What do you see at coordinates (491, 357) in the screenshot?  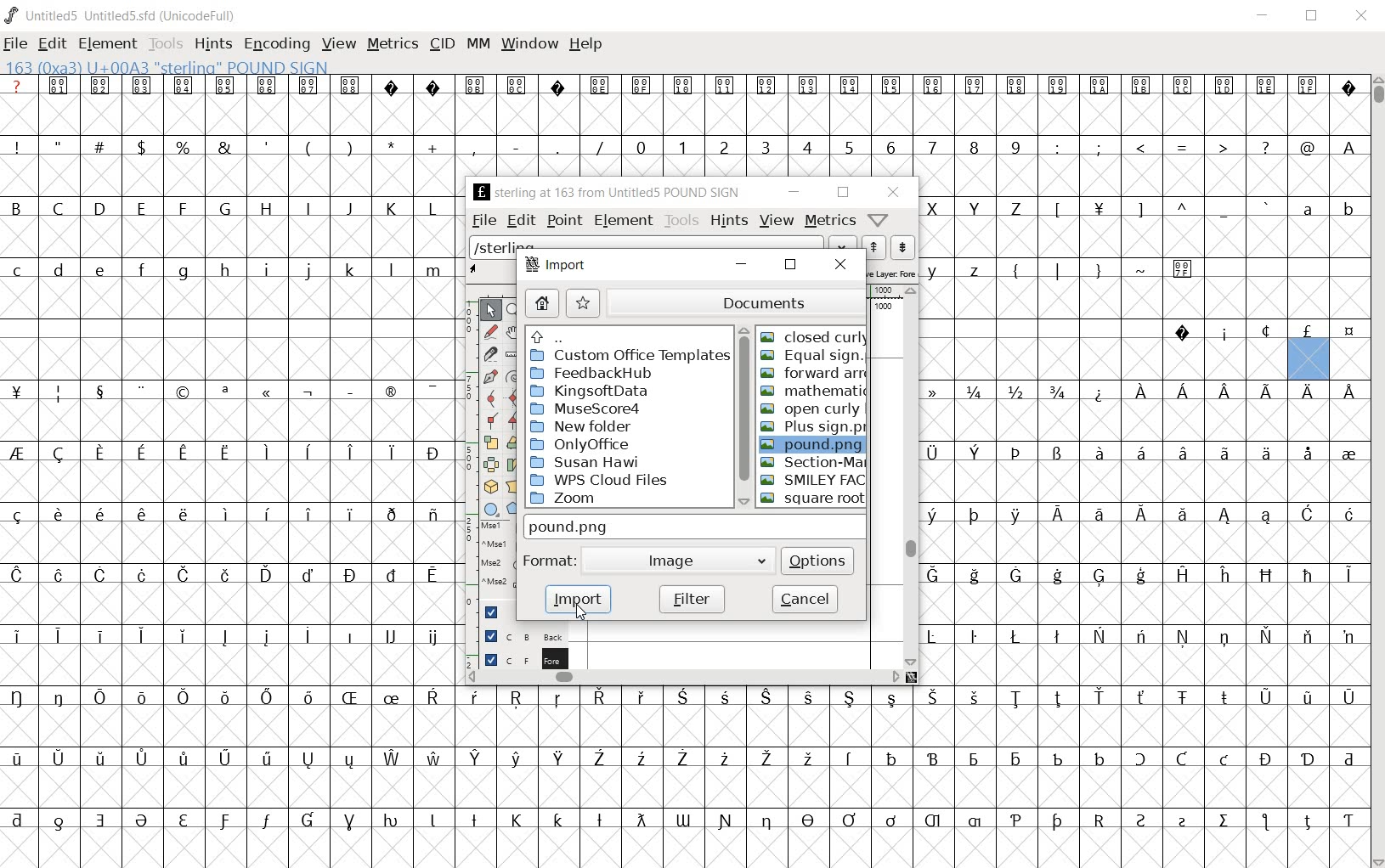 I see `knife` at bounding box center [491, 357].